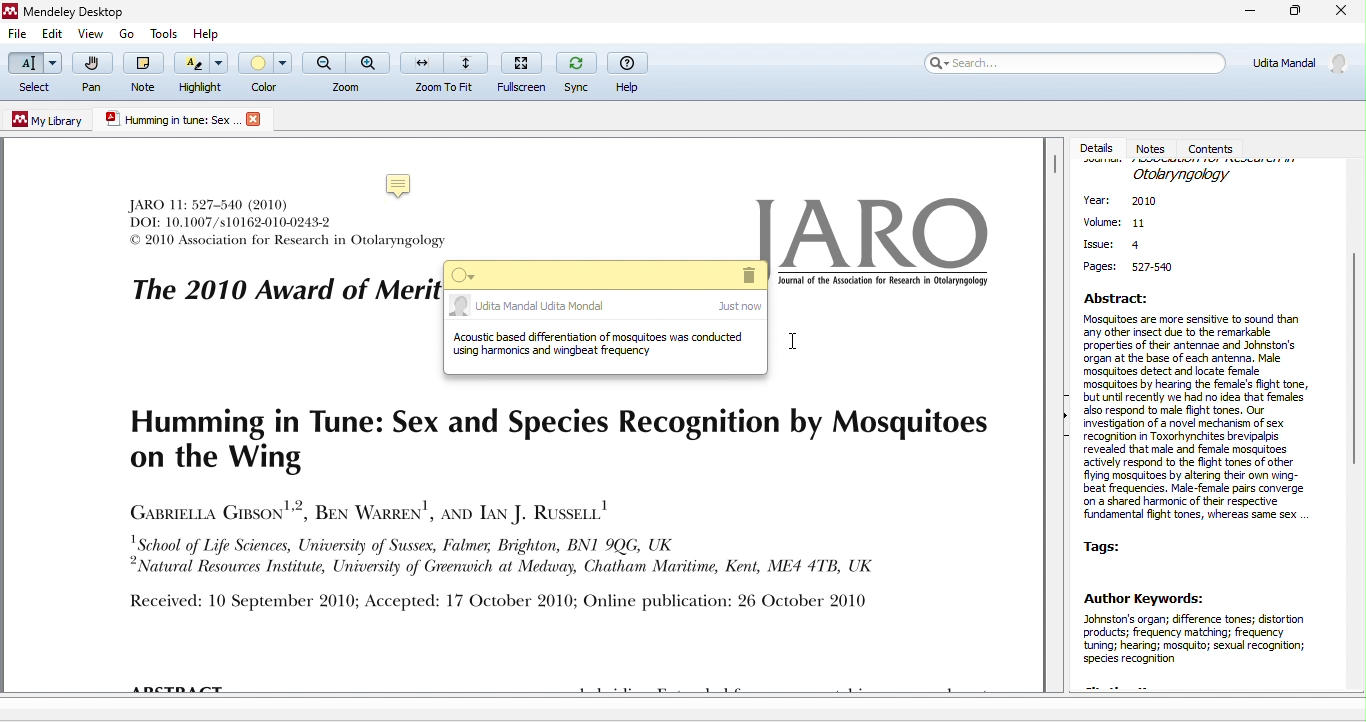 This screenshot has height=722, width=1366. I want to click on issue:4, so click(1113, 243).